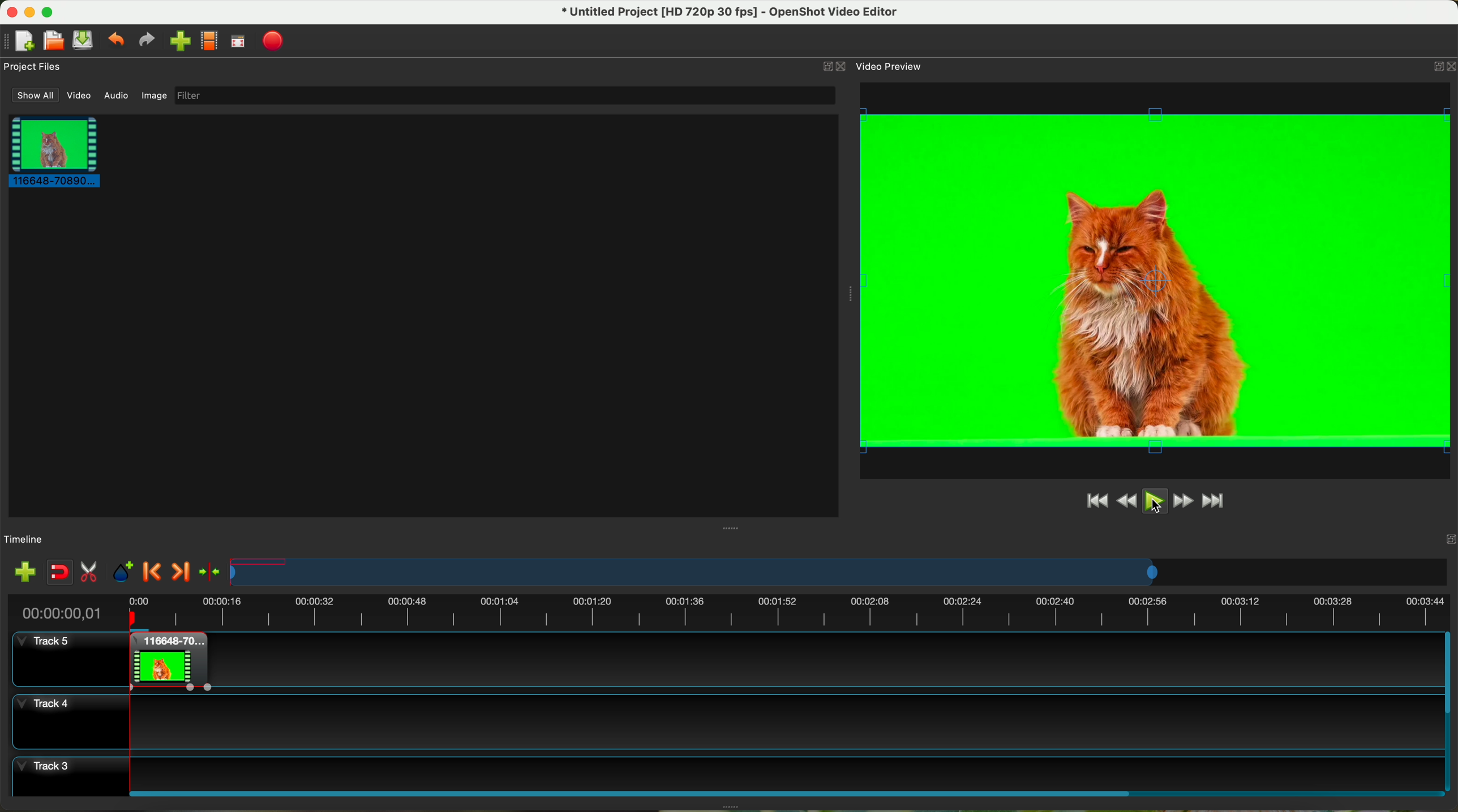  What do you see at coordinates (154, 97) in the screenshot?
I see `image` at bounding box center [154, 97].